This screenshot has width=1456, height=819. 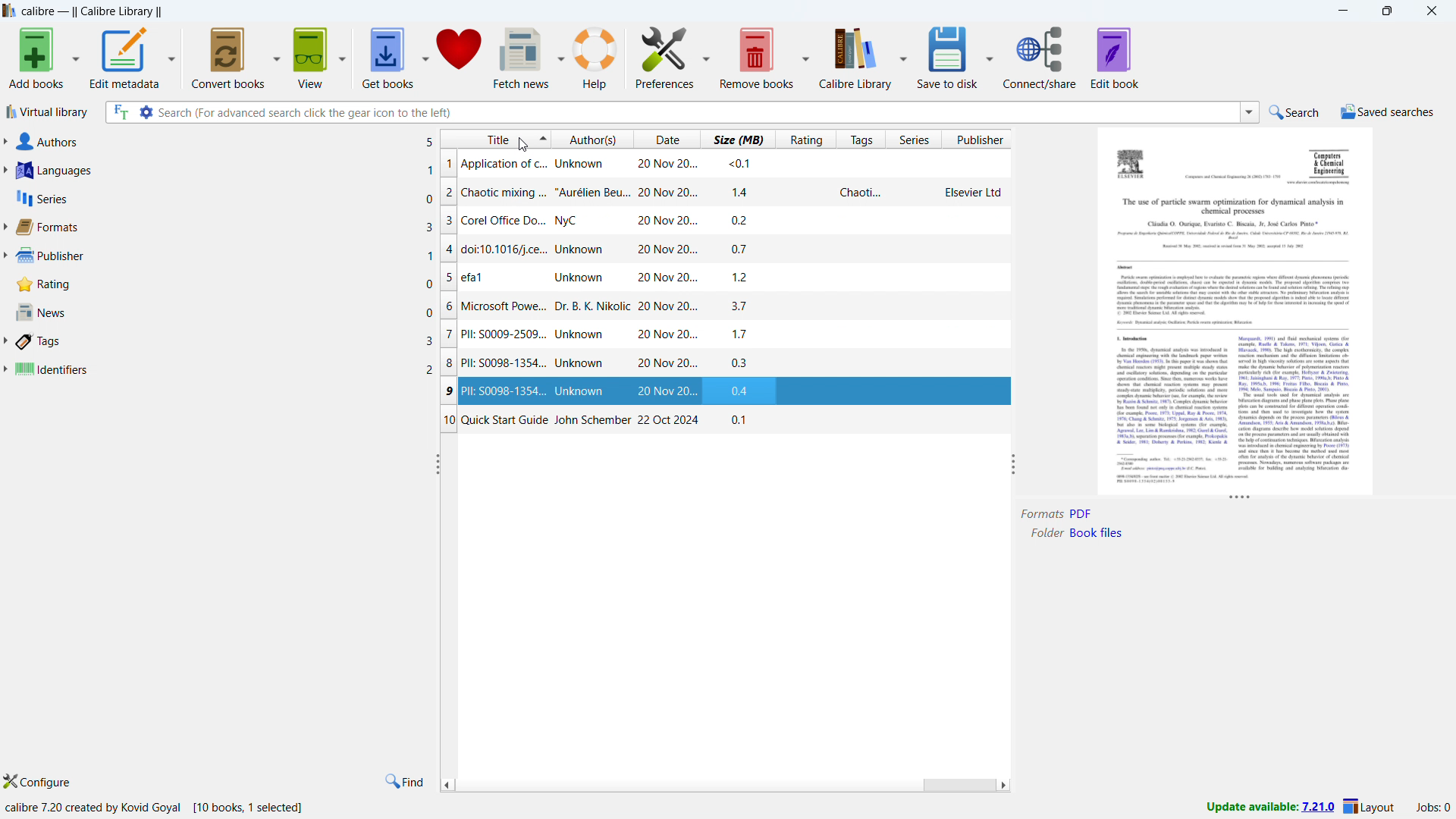 What do you see at coordinates (1169, 409) in the screenshot?
I see `` at bounding box center [1169, 409].